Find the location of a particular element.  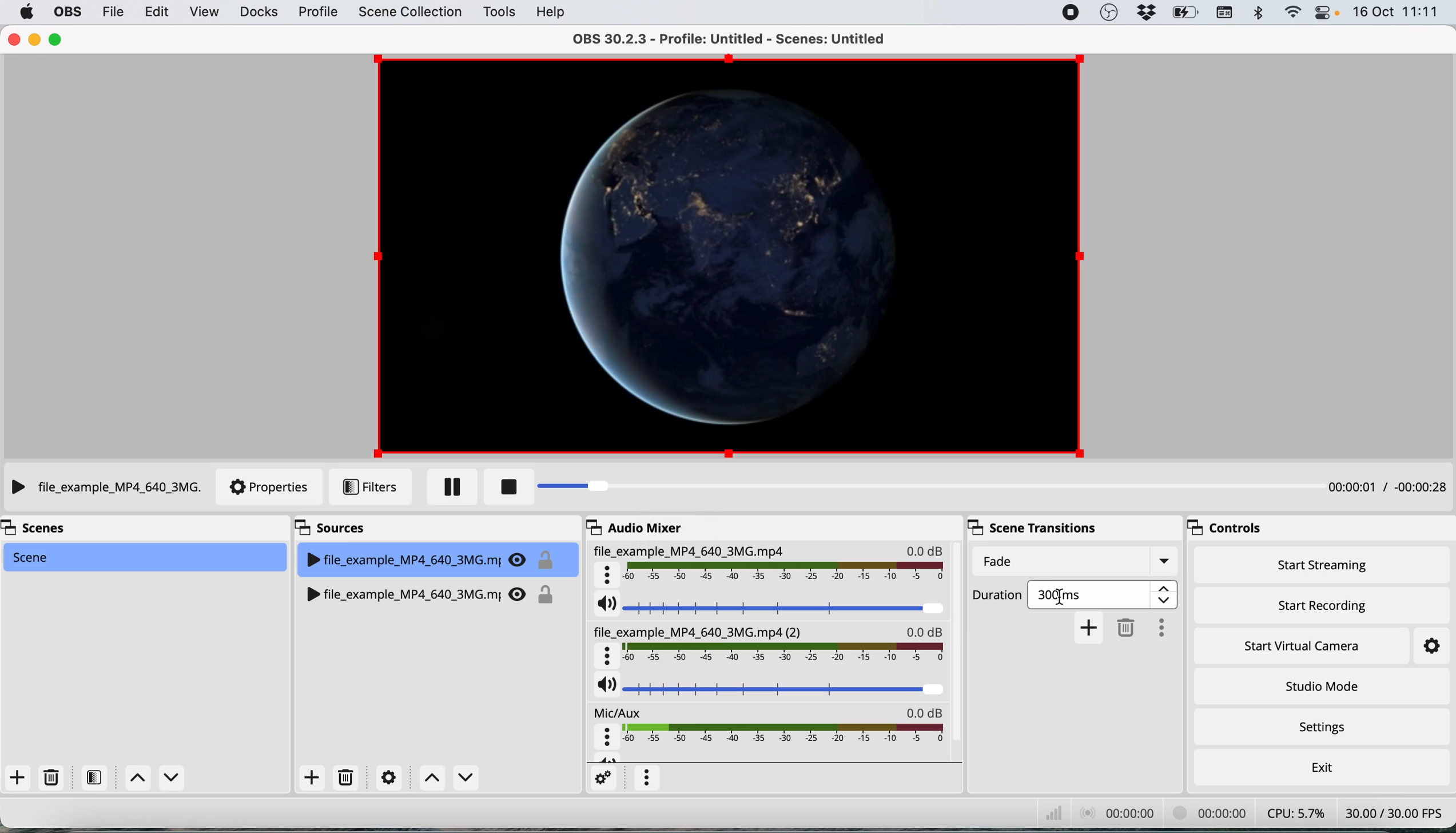

bluetooth is located at coordinates (1260, 16).